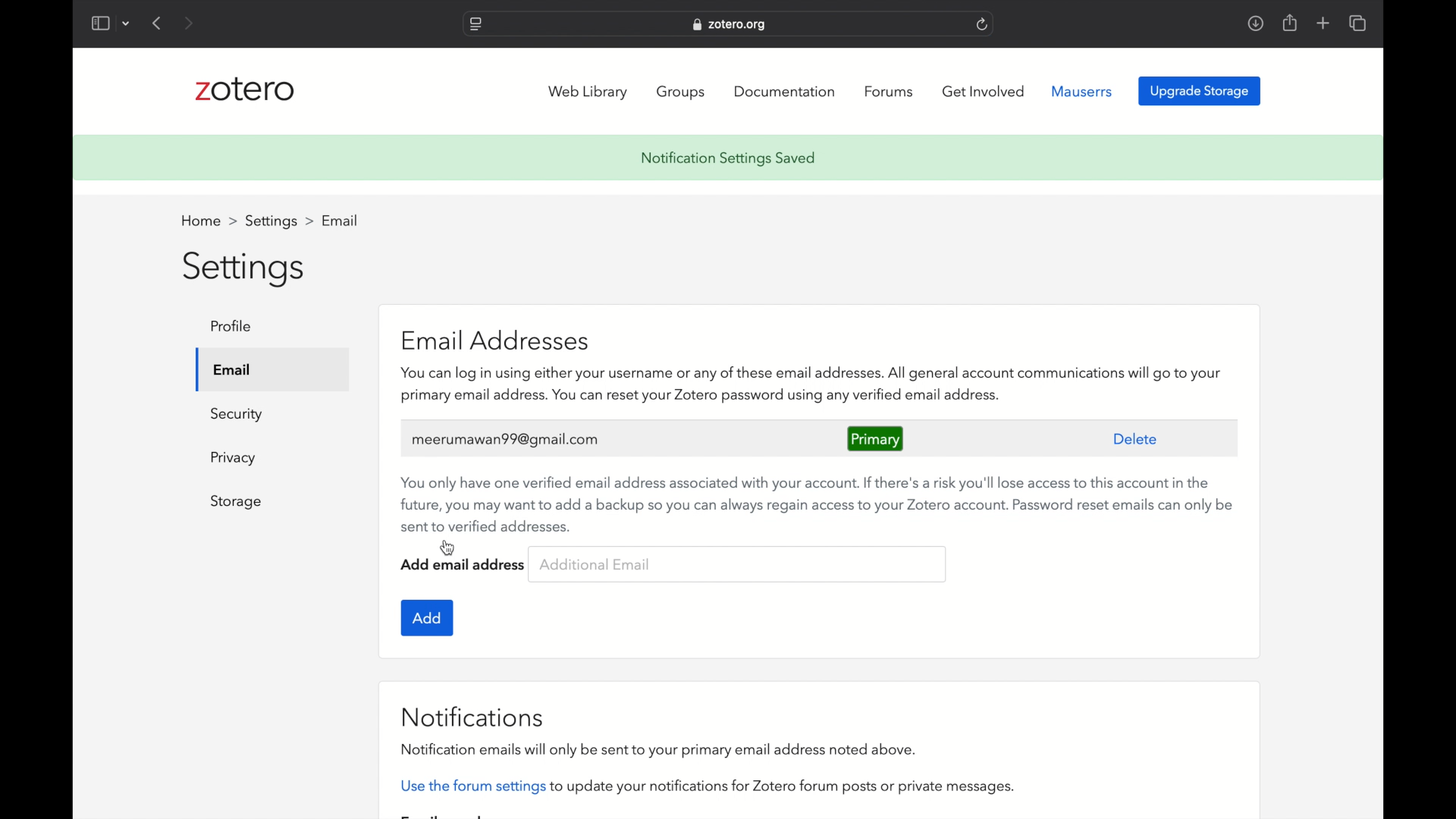 The height and width of the screenshot is (819, 1456). Describe the element at coordinates (158, 23) in the screenshot. I see `previous` at that location.